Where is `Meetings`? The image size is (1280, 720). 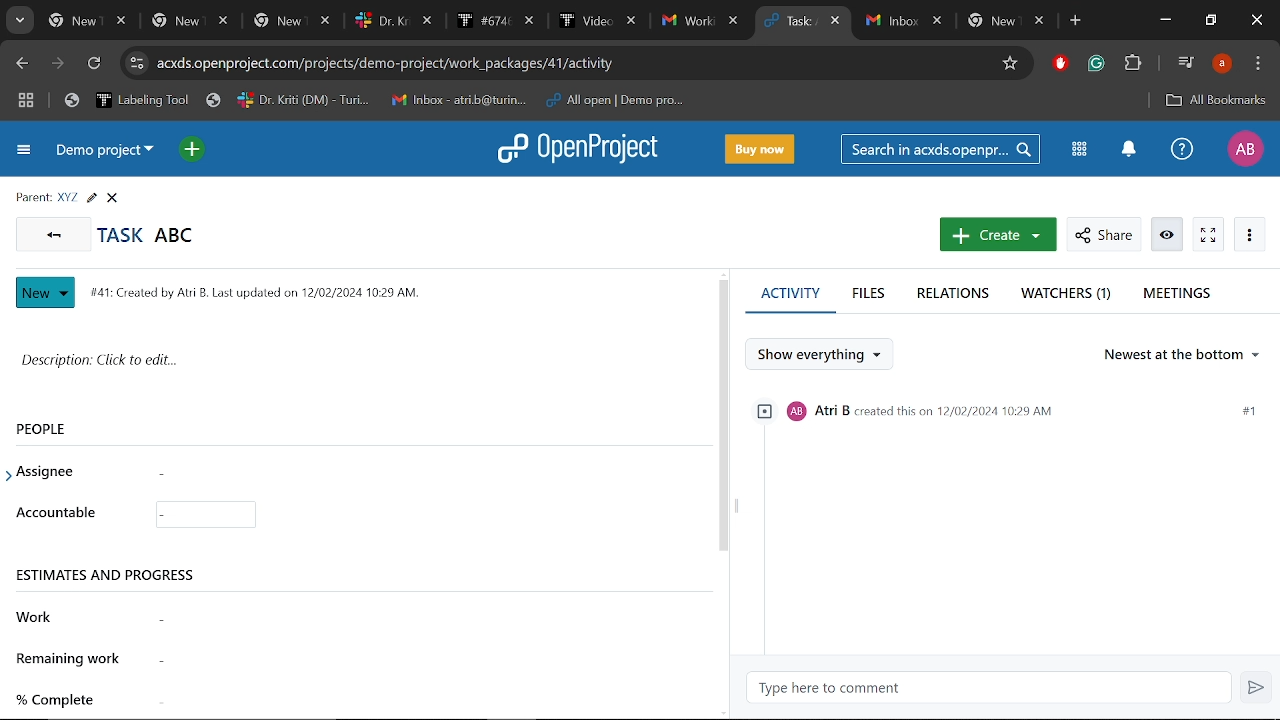 Meetings is located at coordinates (1174, 297).